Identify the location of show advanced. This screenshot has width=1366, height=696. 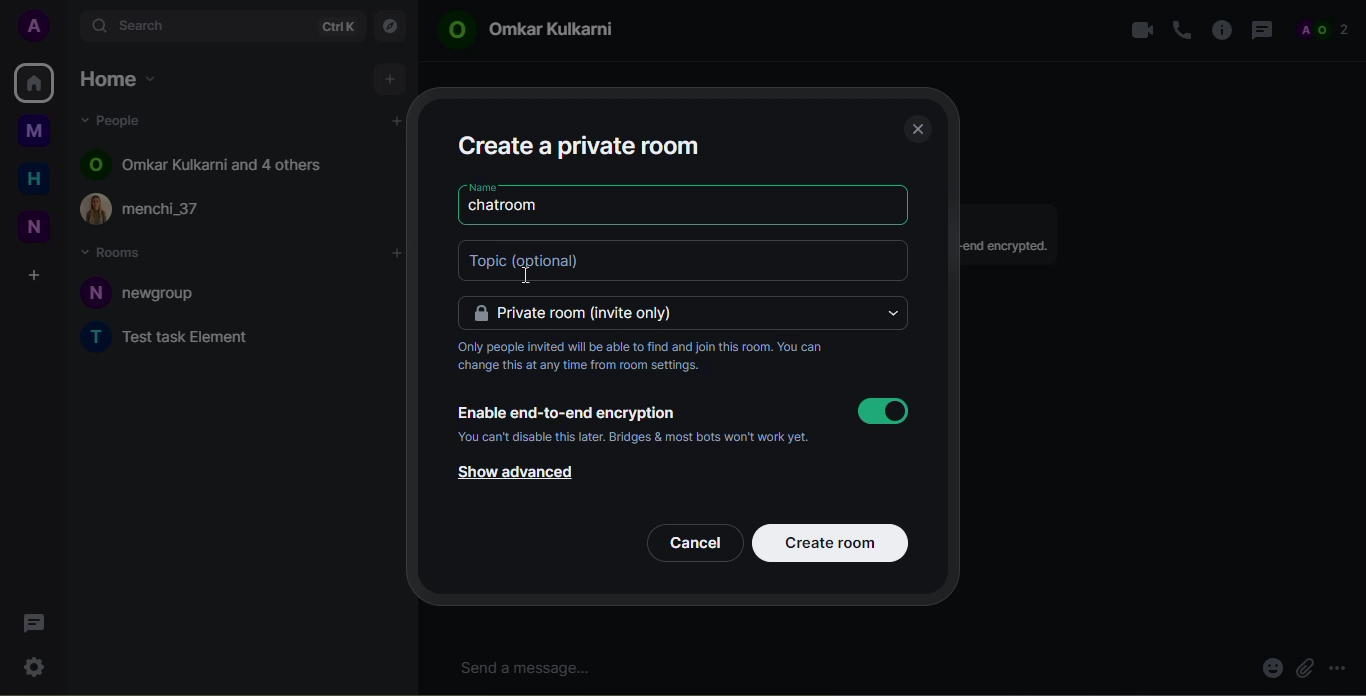
(511, 473).